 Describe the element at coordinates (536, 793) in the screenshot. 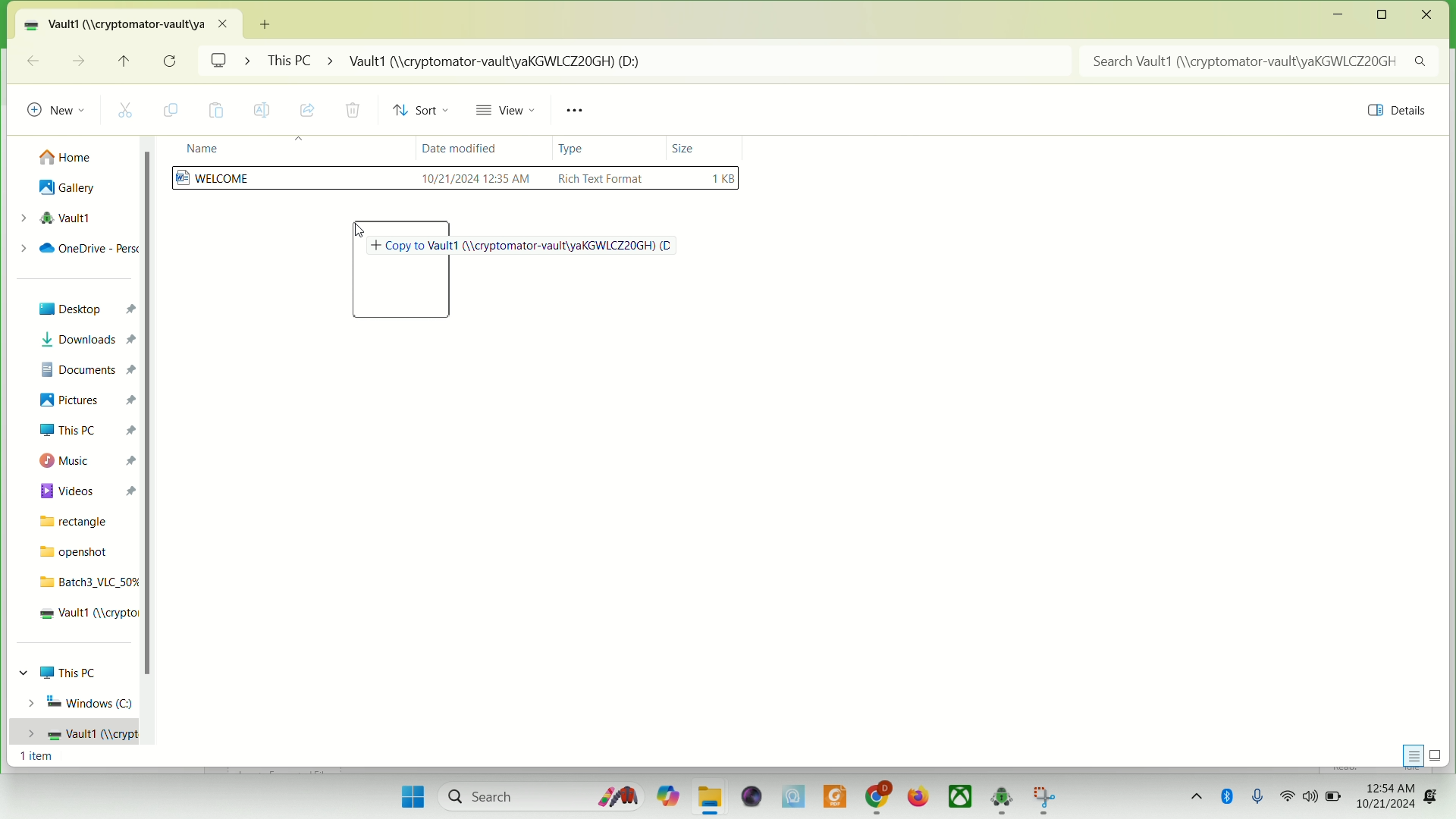

I see `search` at that location.